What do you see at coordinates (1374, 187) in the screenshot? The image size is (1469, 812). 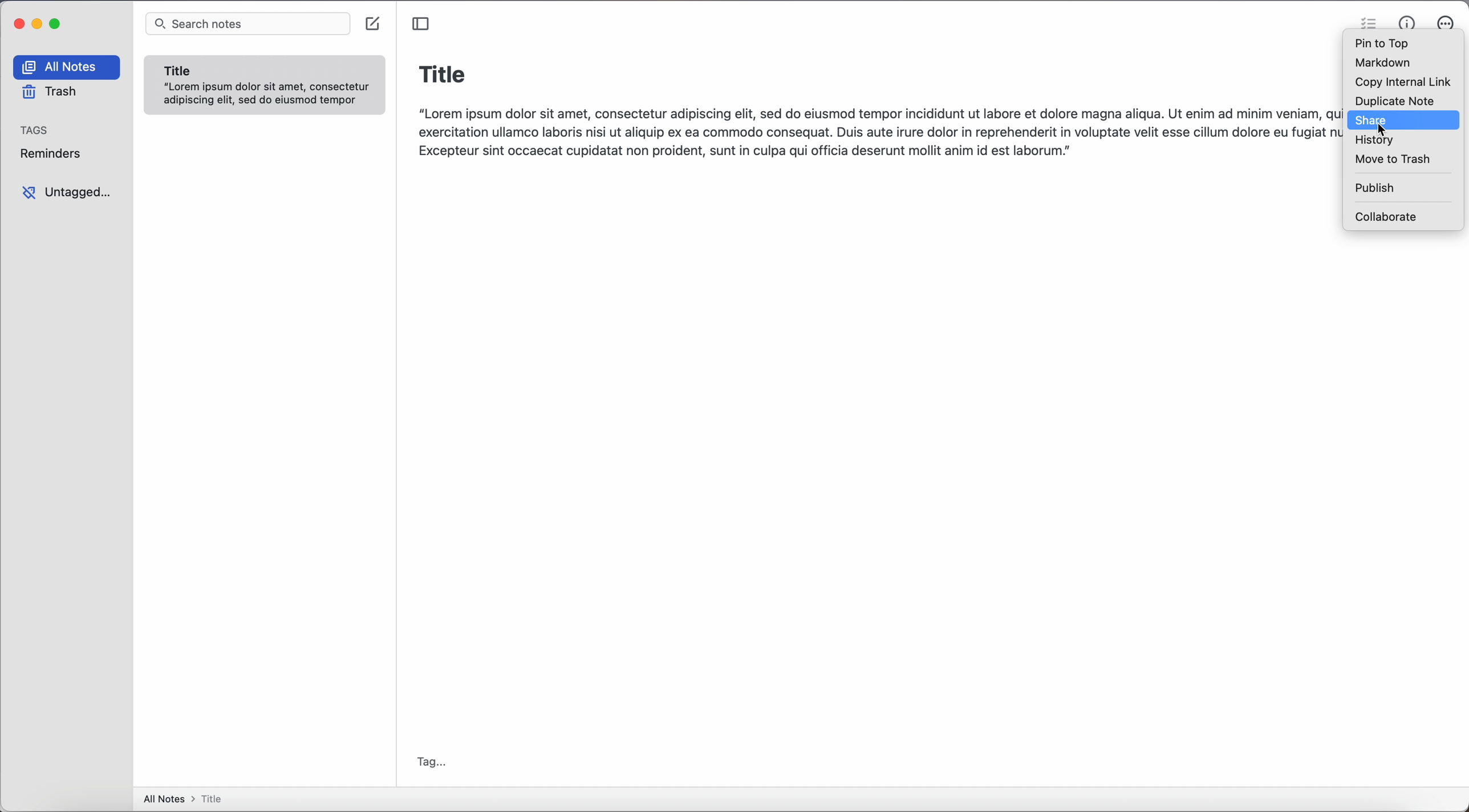 I see `publish` at bounding box center [1374, 187].